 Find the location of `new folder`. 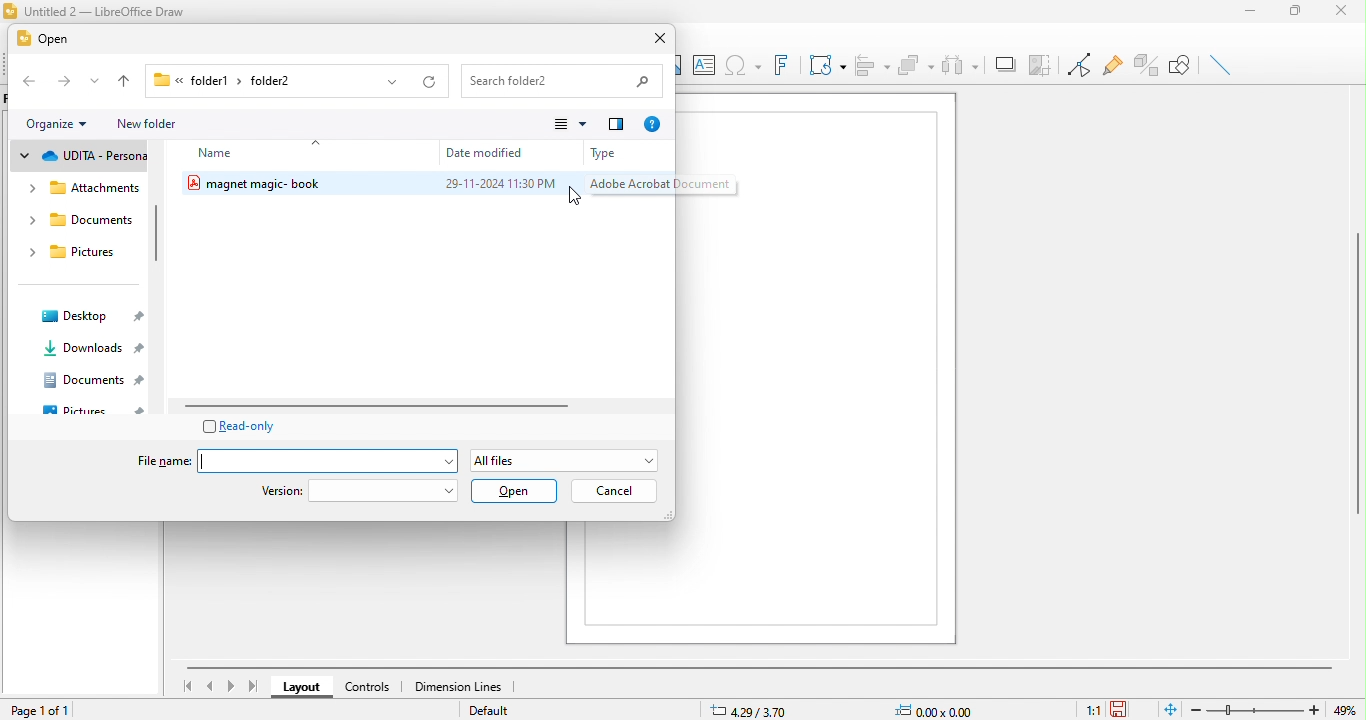

new folder is located at coordinates (160, 124).